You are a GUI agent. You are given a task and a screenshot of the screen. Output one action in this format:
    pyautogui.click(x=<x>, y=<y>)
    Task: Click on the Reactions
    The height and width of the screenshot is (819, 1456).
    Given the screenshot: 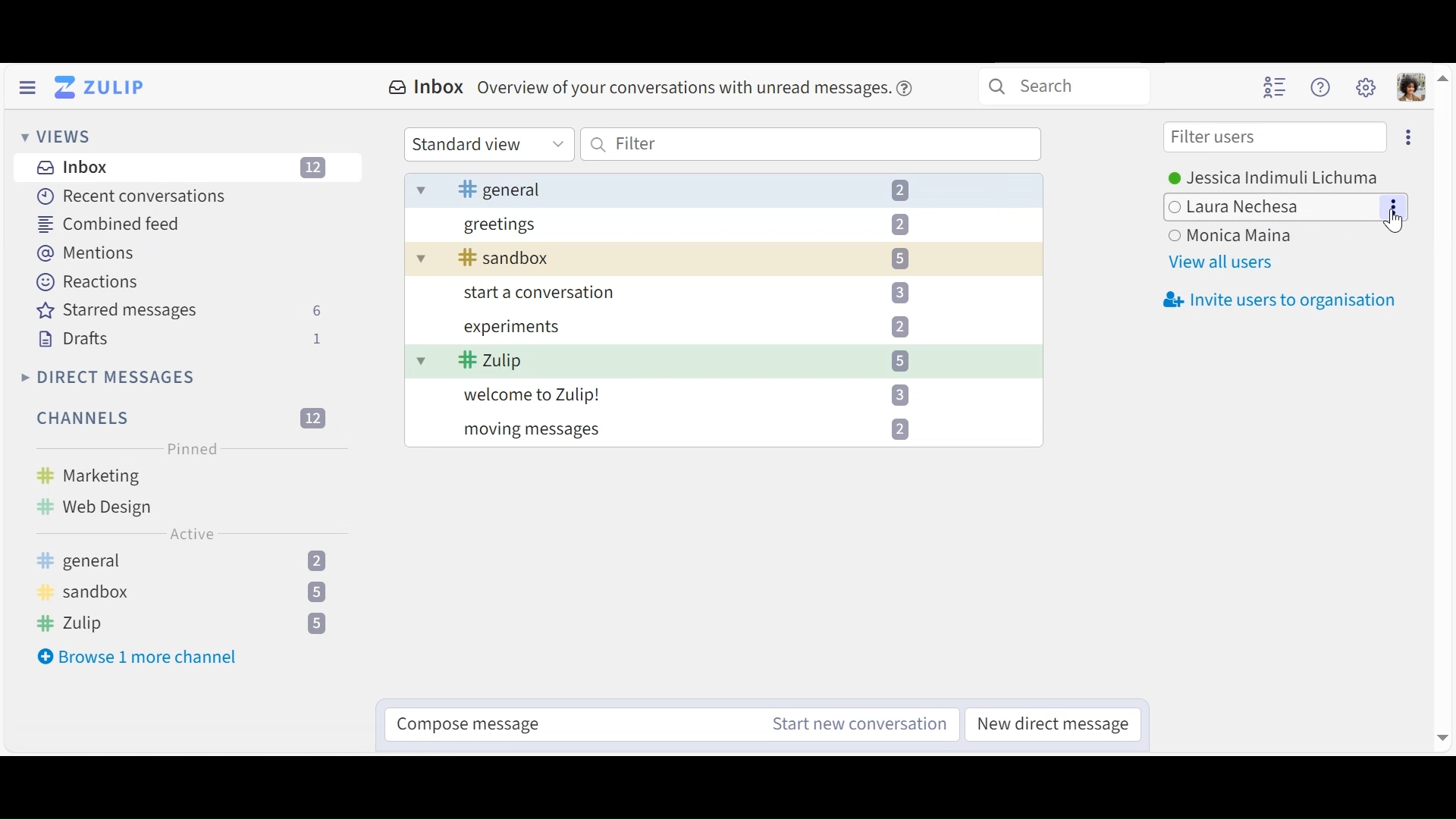 What is the action you would take?
    pyautogui.click(x=89, y=281)
    